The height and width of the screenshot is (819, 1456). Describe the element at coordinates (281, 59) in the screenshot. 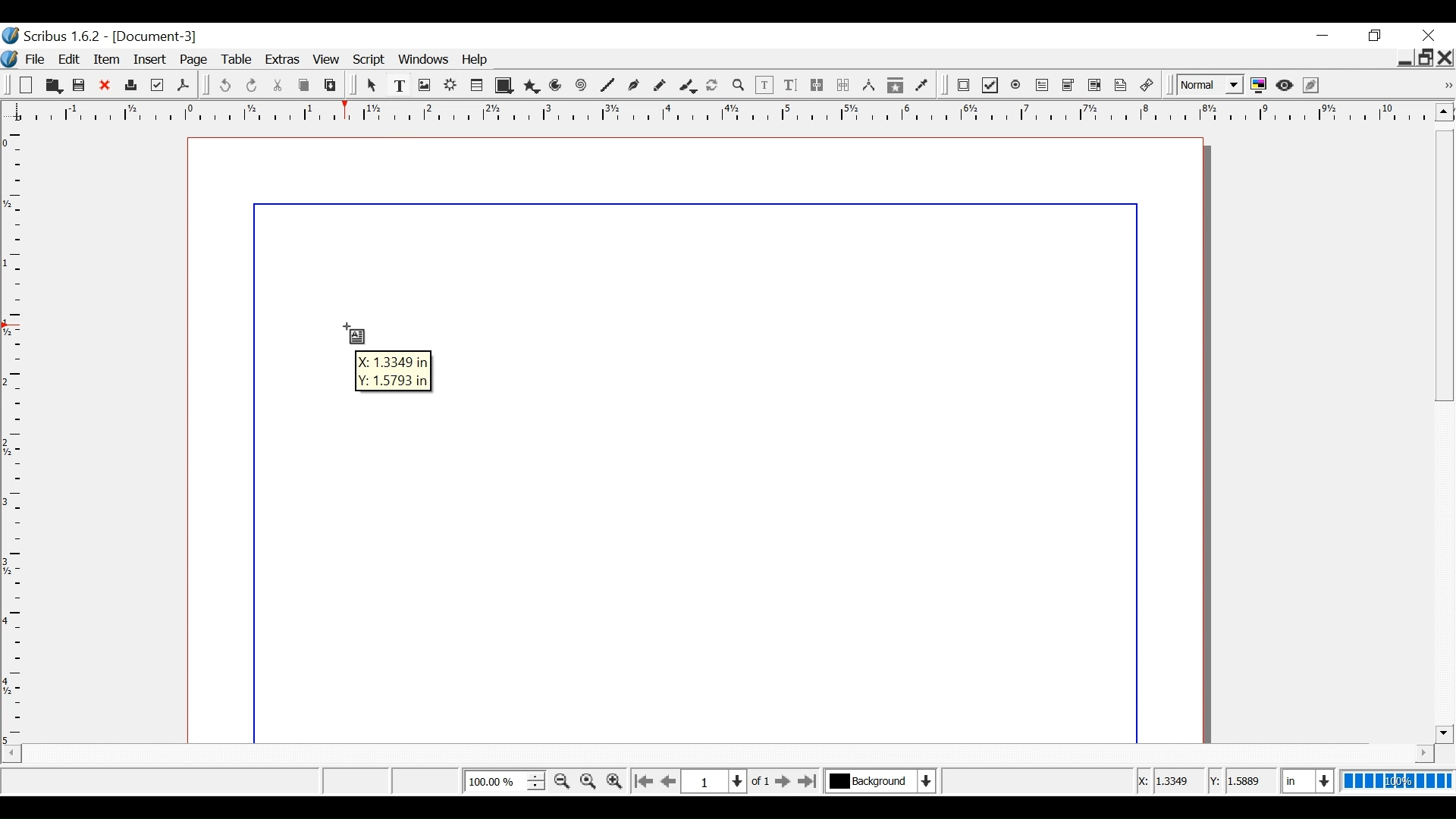

I see `Extras` at that location.